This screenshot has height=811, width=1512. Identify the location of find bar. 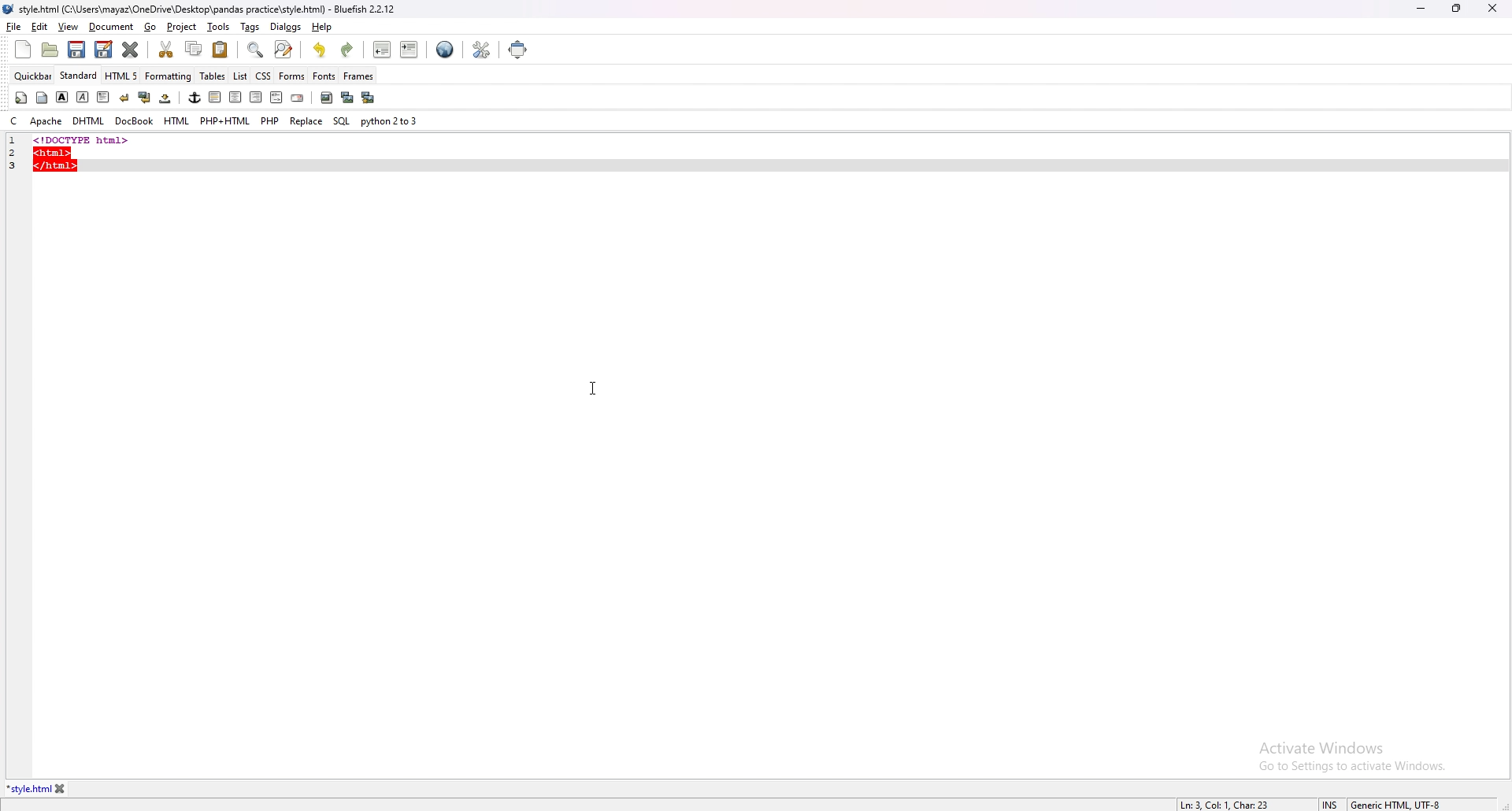
(256, 50).